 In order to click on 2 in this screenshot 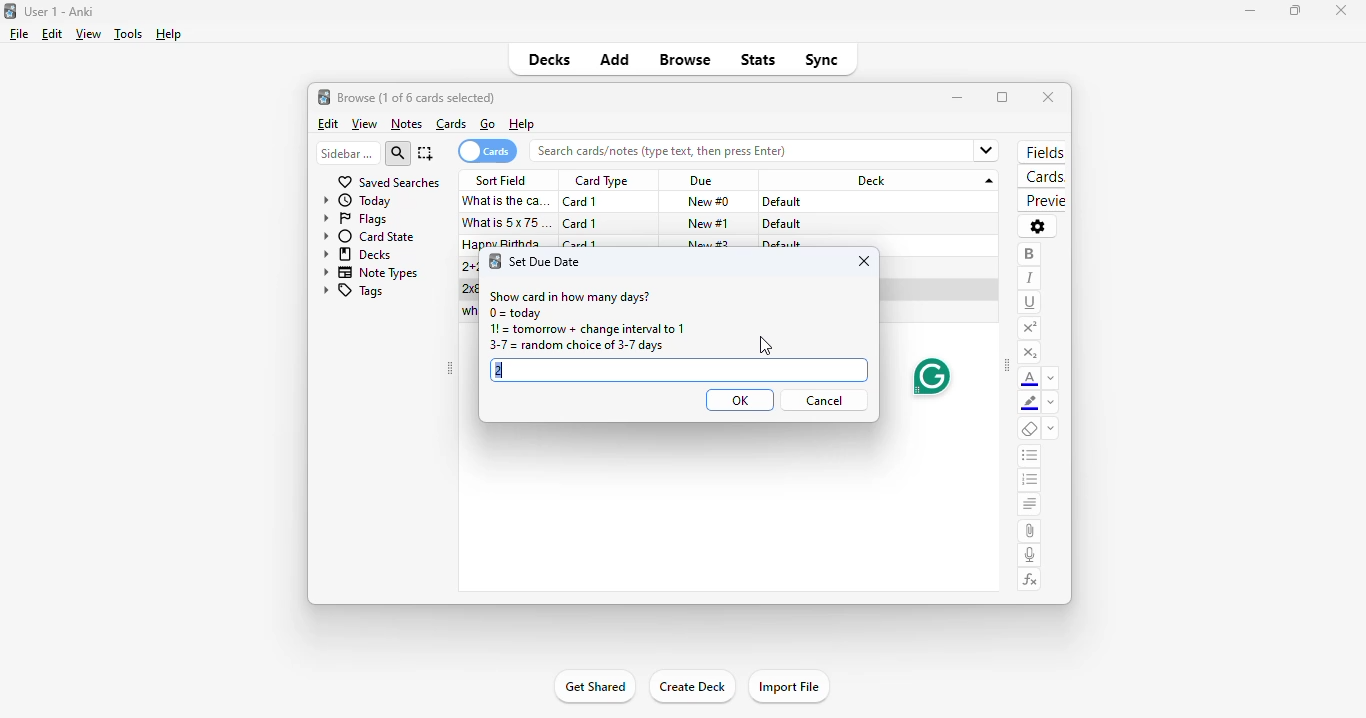, I will do `click(680, 369)`.